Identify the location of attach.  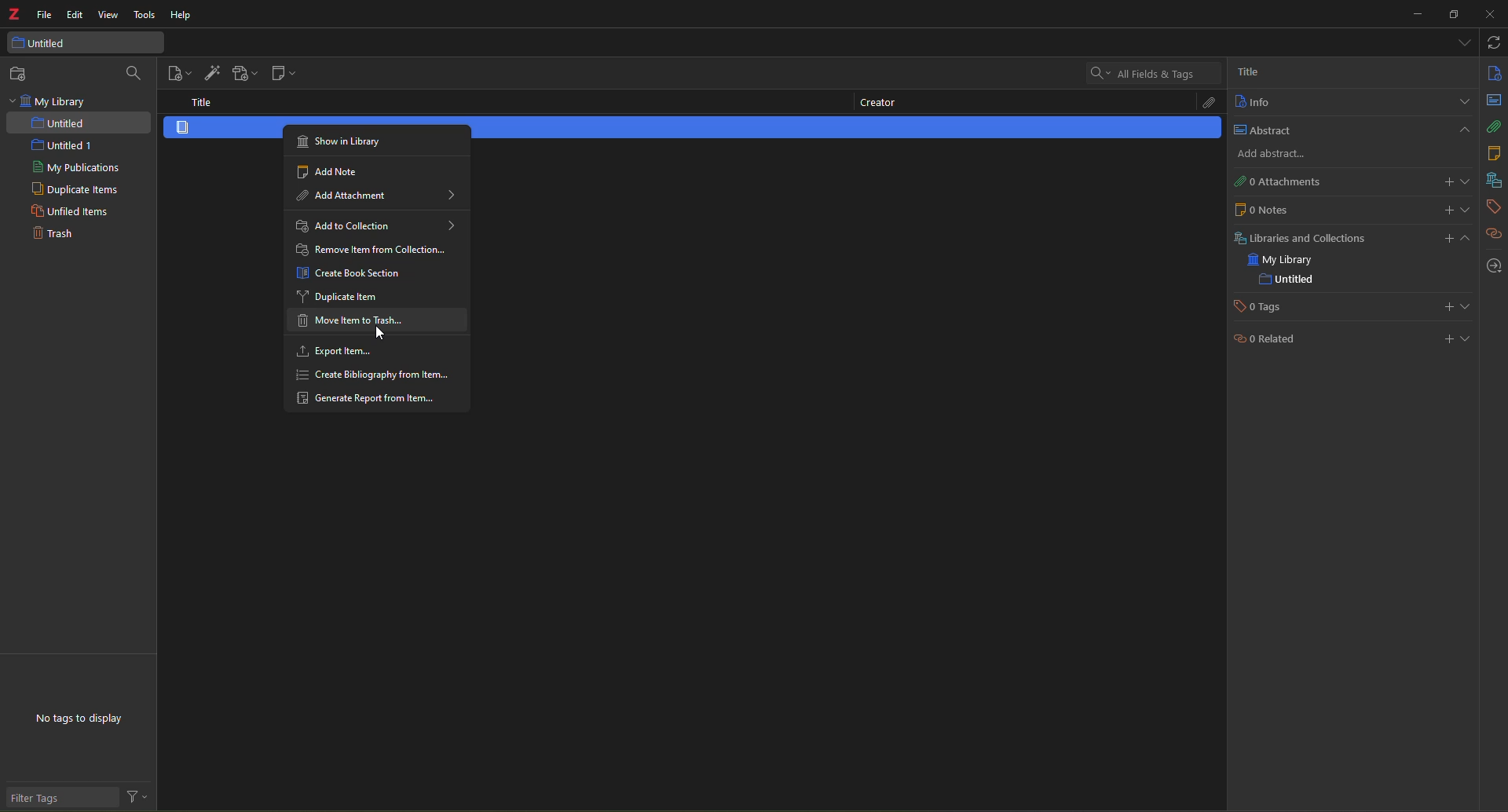
(1495, 126).